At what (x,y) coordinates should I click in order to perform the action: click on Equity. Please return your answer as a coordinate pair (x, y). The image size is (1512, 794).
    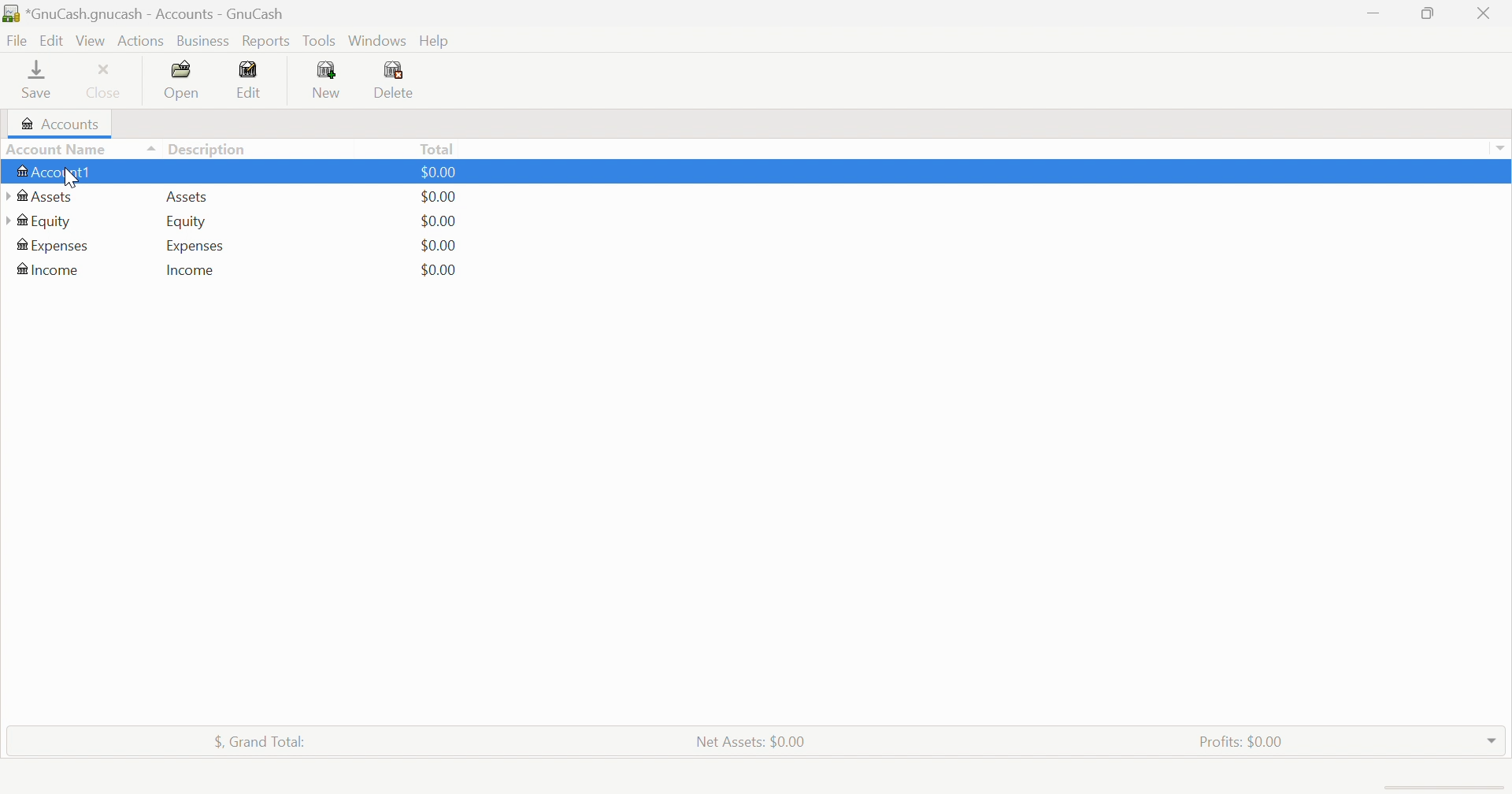
    Looking at the image, I should click on (46, 222).